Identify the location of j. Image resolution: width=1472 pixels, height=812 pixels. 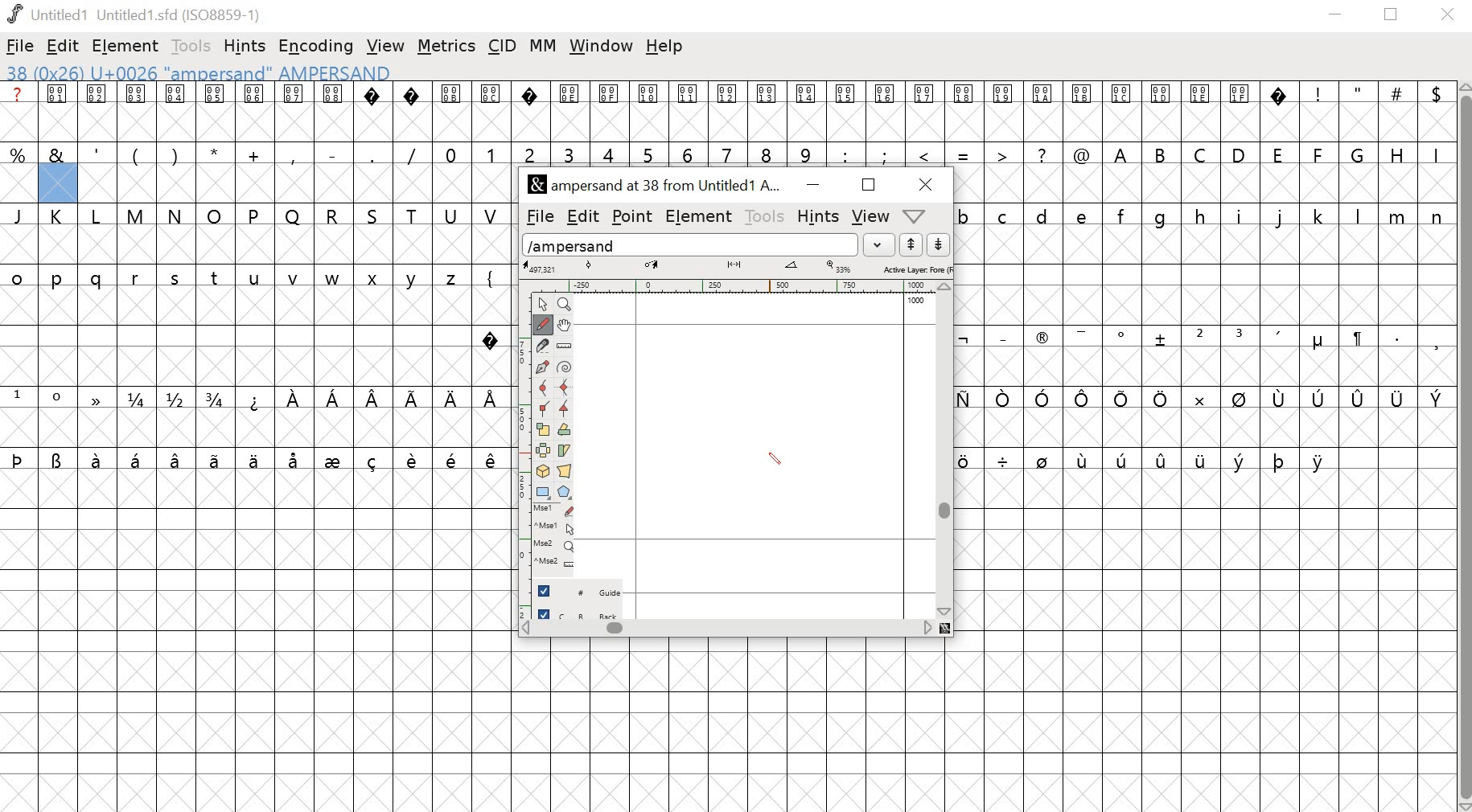
(1281, 218).